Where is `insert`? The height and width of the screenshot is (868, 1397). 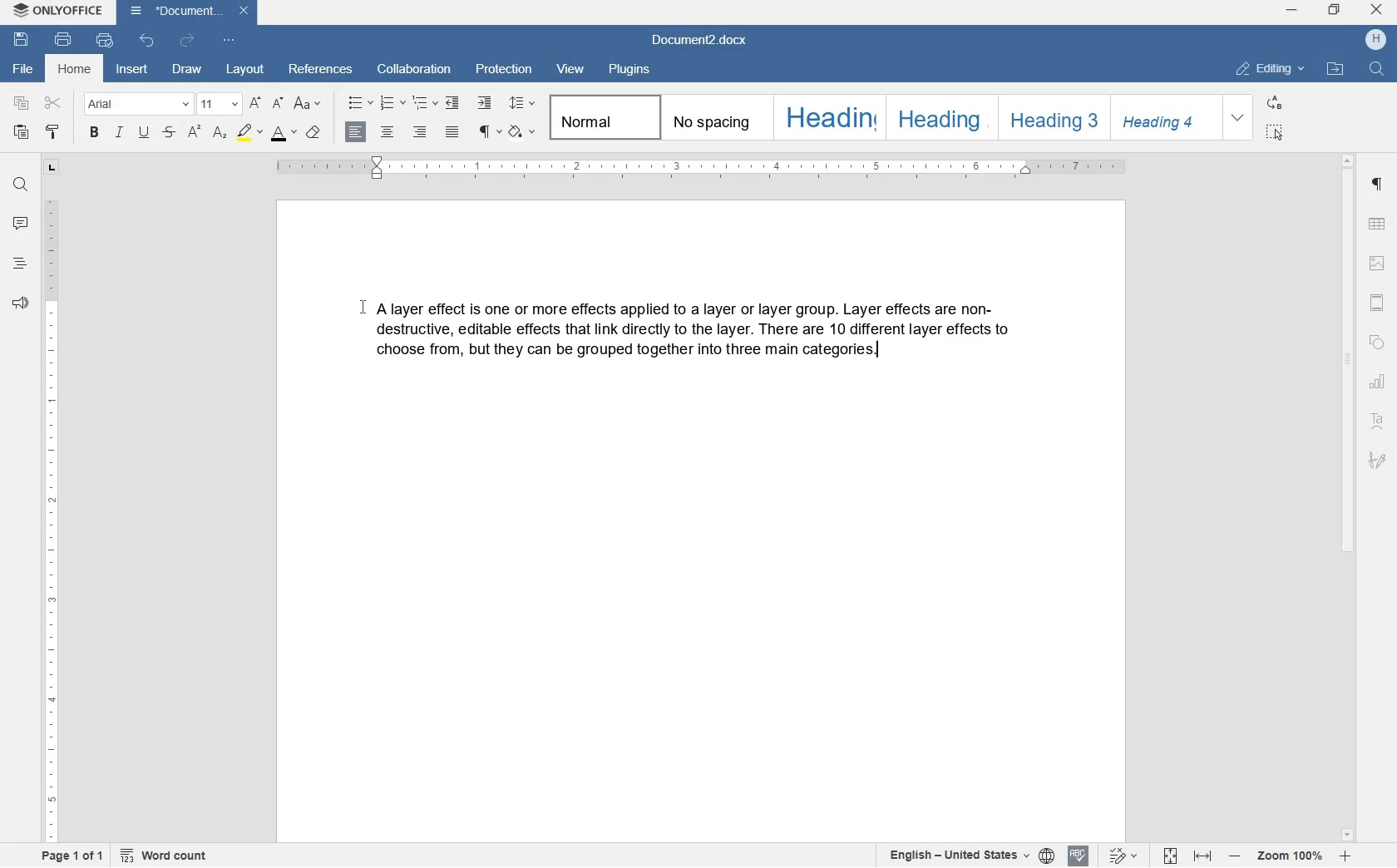
insert is located at coordinates (133, 69).